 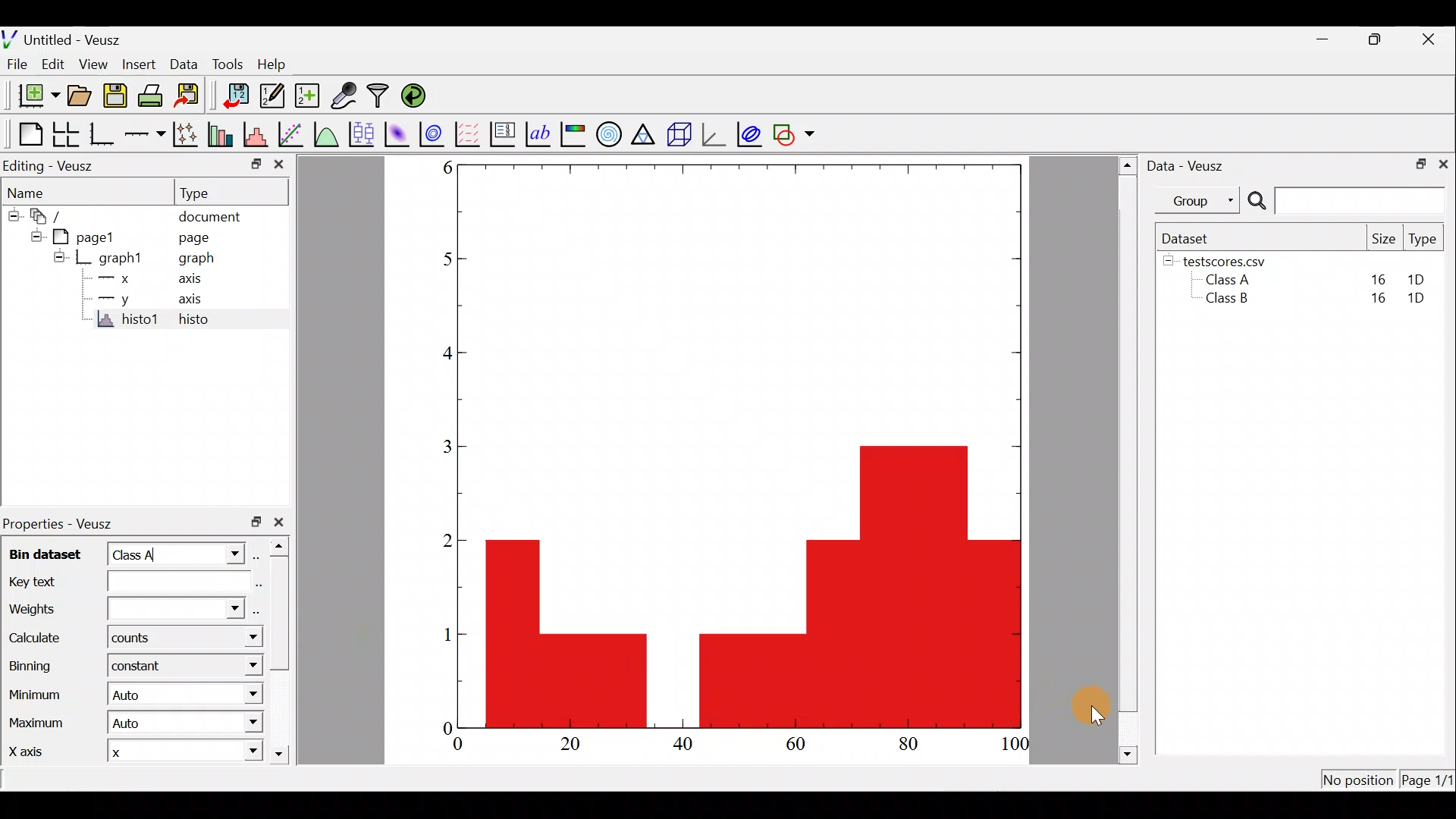 What do you see at coordinates (56, 165) in the screenshot?
I see `Editing - Veusz` at bounding box center [56, 165].